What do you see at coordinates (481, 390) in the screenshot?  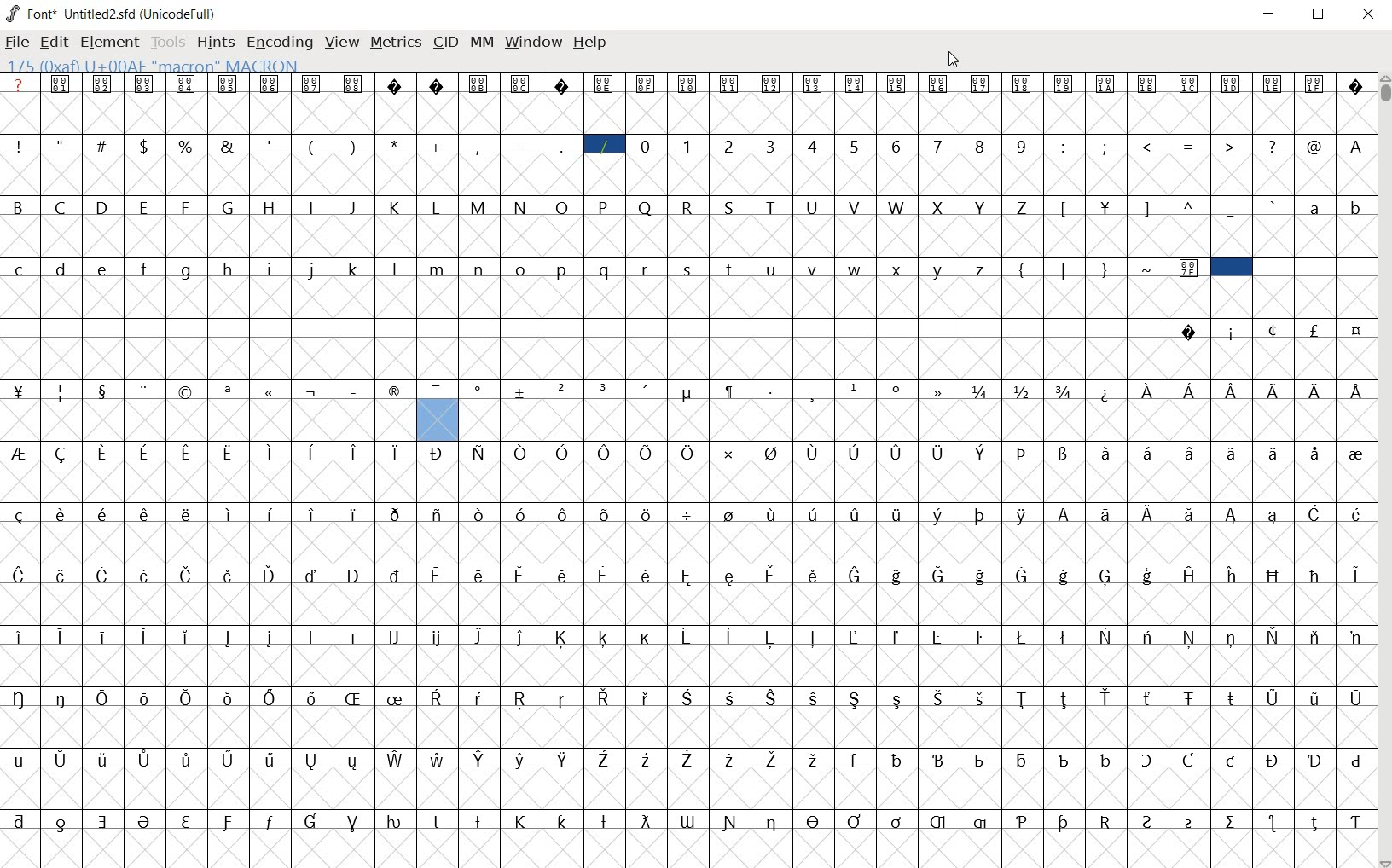 I see `Symbol` at bounding box center [481, 390].